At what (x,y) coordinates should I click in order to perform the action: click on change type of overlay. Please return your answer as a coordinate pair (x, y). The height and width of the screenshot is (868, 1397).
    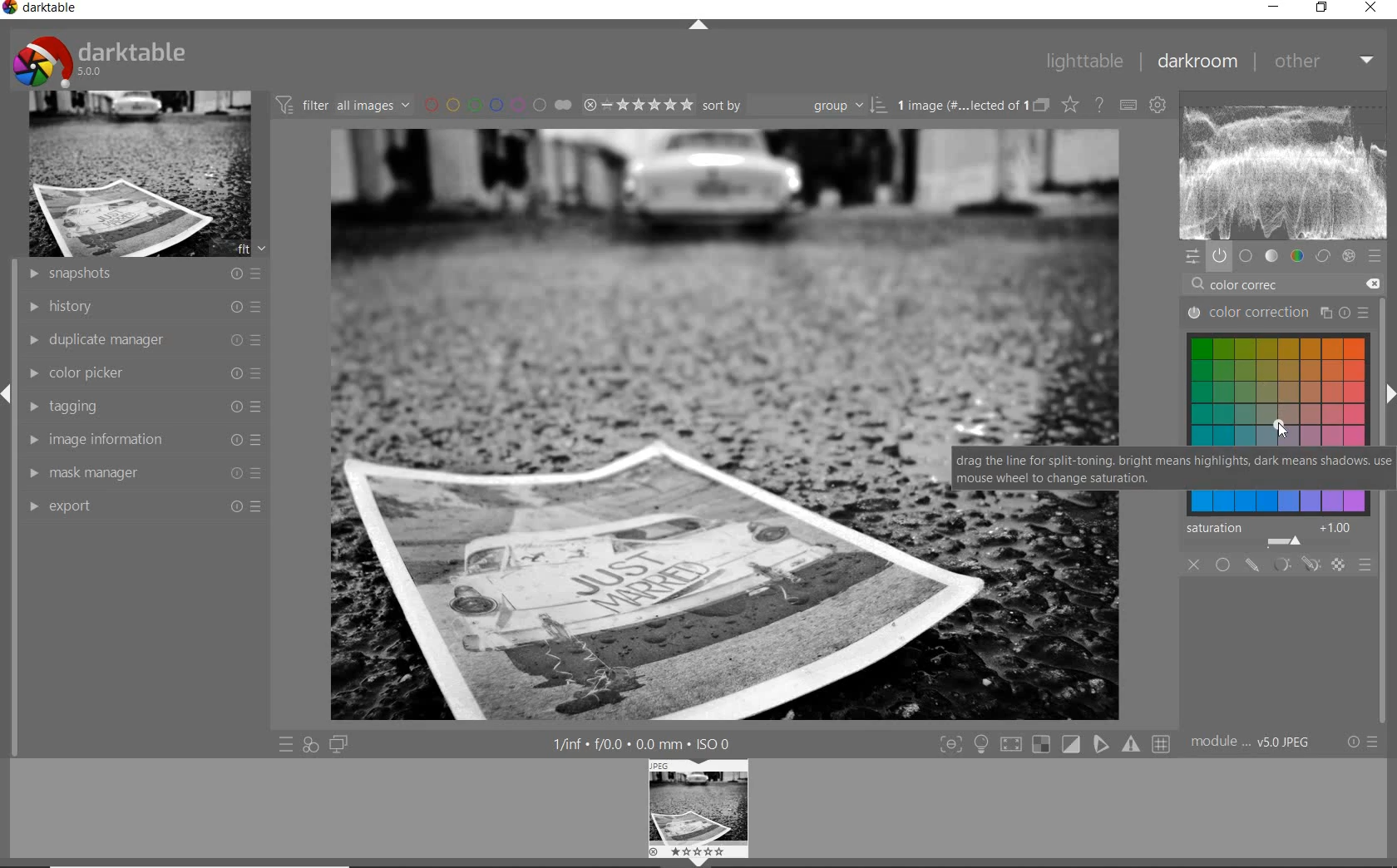
    Looking at the image, I should click on (1069, 106).